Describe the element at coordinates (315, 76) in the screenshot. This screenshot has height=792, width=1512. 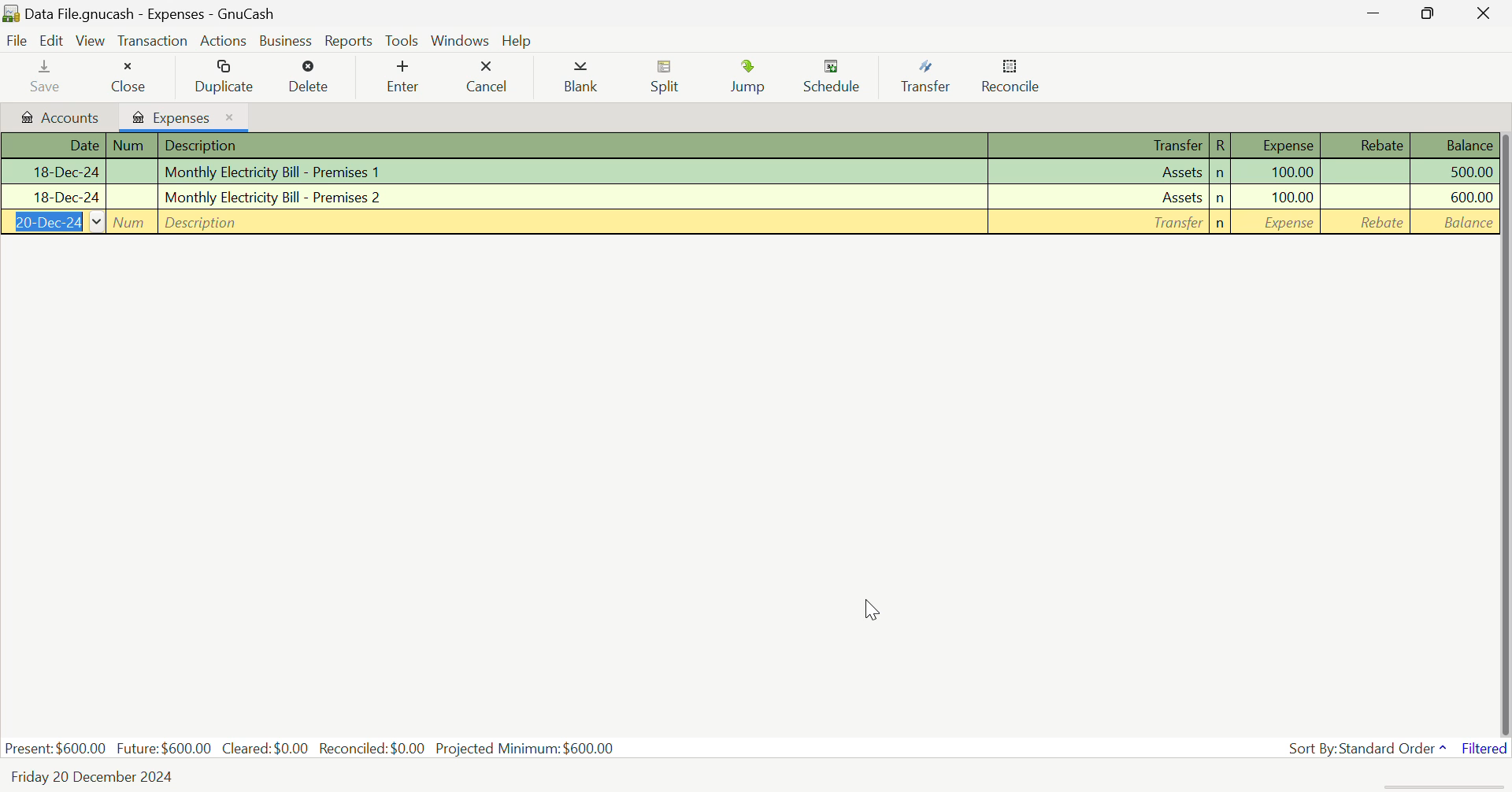
I see `Delete` at that location.